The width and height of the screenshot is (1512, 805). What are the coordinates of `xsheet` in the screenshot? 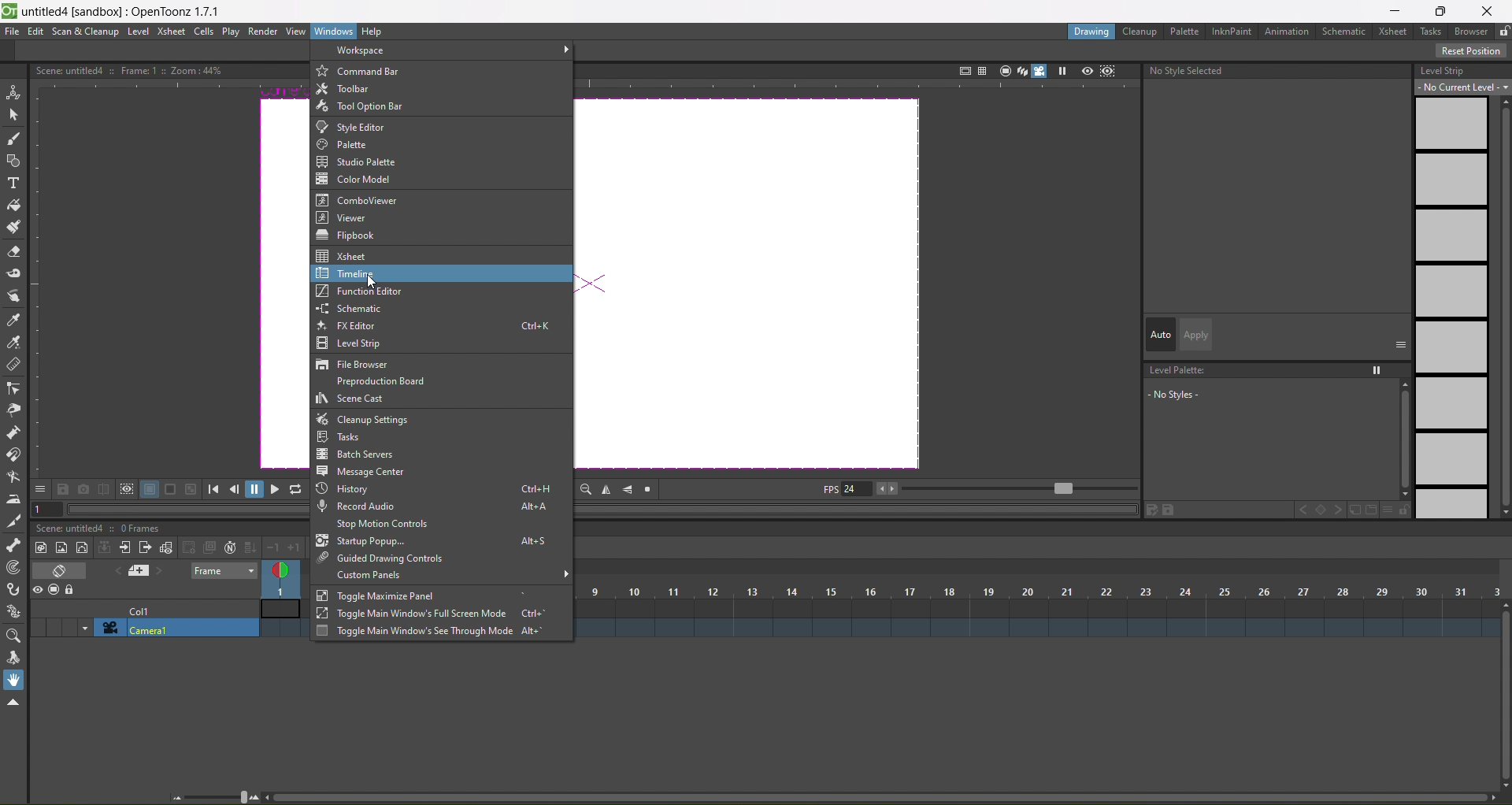 It's located at (170, 31).